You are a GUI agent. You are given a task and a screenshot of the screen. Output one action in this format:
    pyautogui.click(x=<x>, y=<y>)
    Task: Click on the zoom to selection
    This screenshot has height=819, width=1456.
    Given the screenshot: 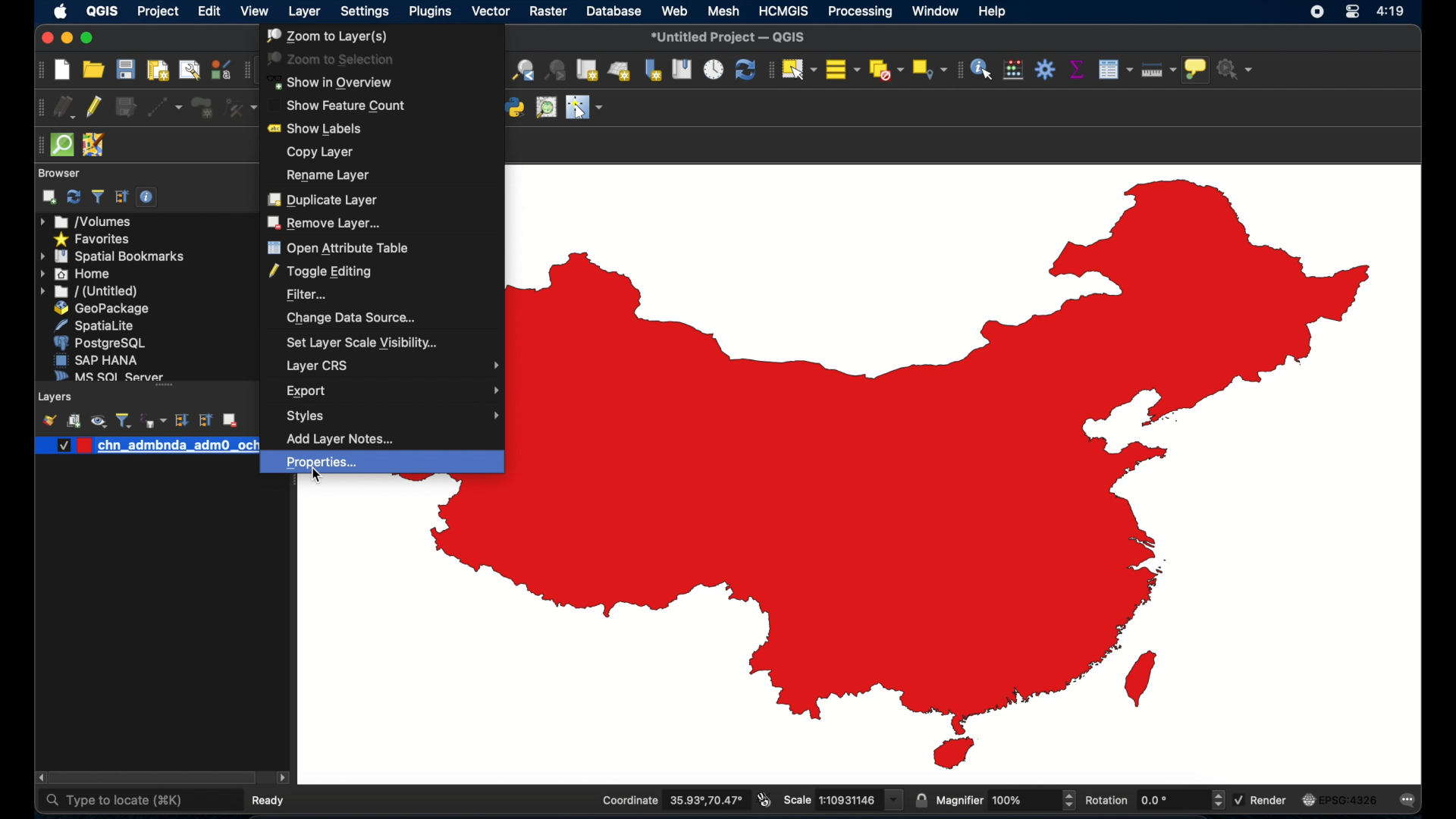 What is the action you would take?
    pyautogui.click(x=332, y=59)
    